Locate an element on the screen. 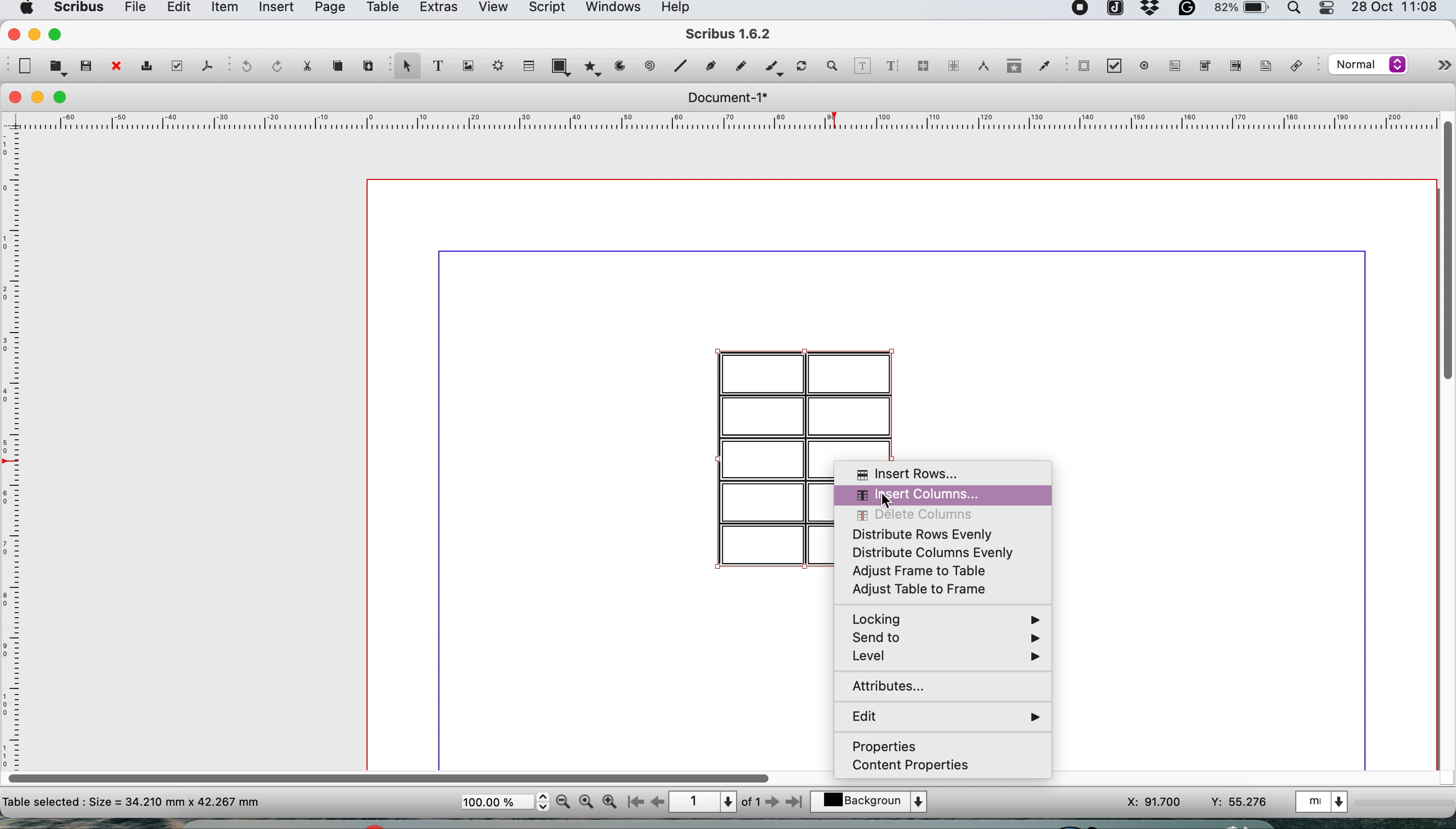 Image resolution: width=1456 pixels, height=829 pixels. battery is located at coordinates (1240, 11).